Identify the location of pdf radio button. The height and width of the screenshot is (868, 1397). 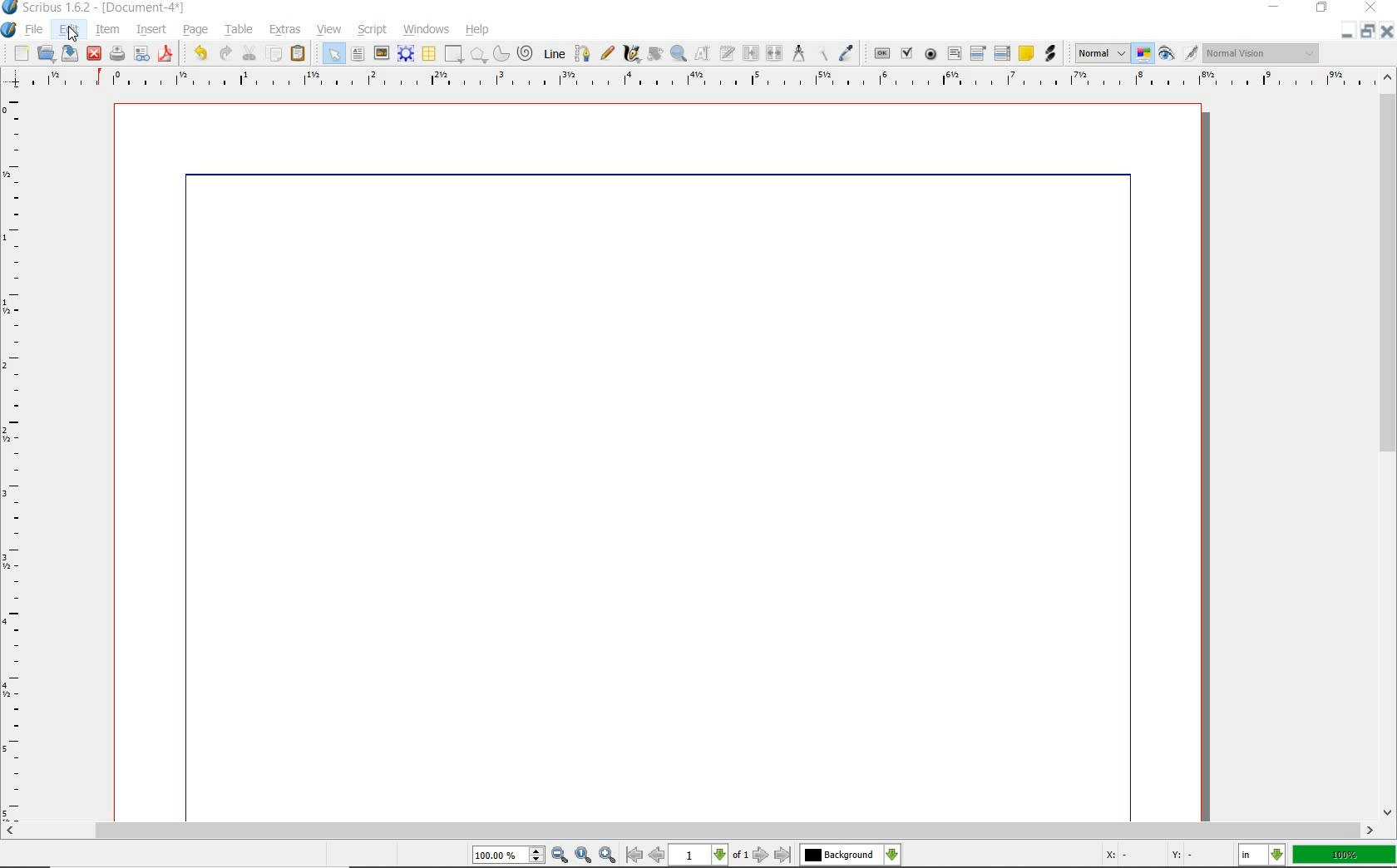
(930, 54).